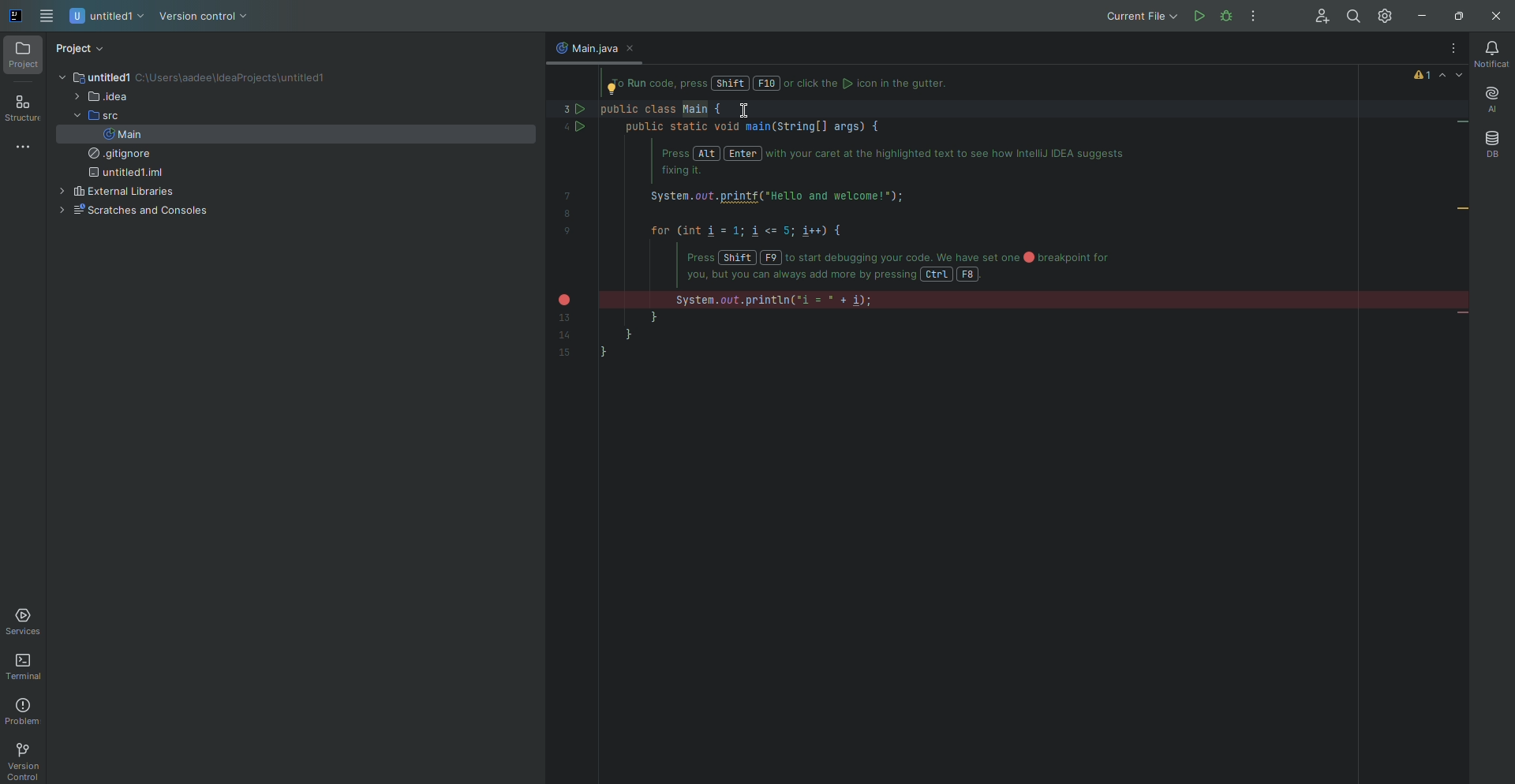 This screenshot has height=784, width=1515. Describe the element at coordinates (1439, 75) in the screenshot. I see `Error` at that location.